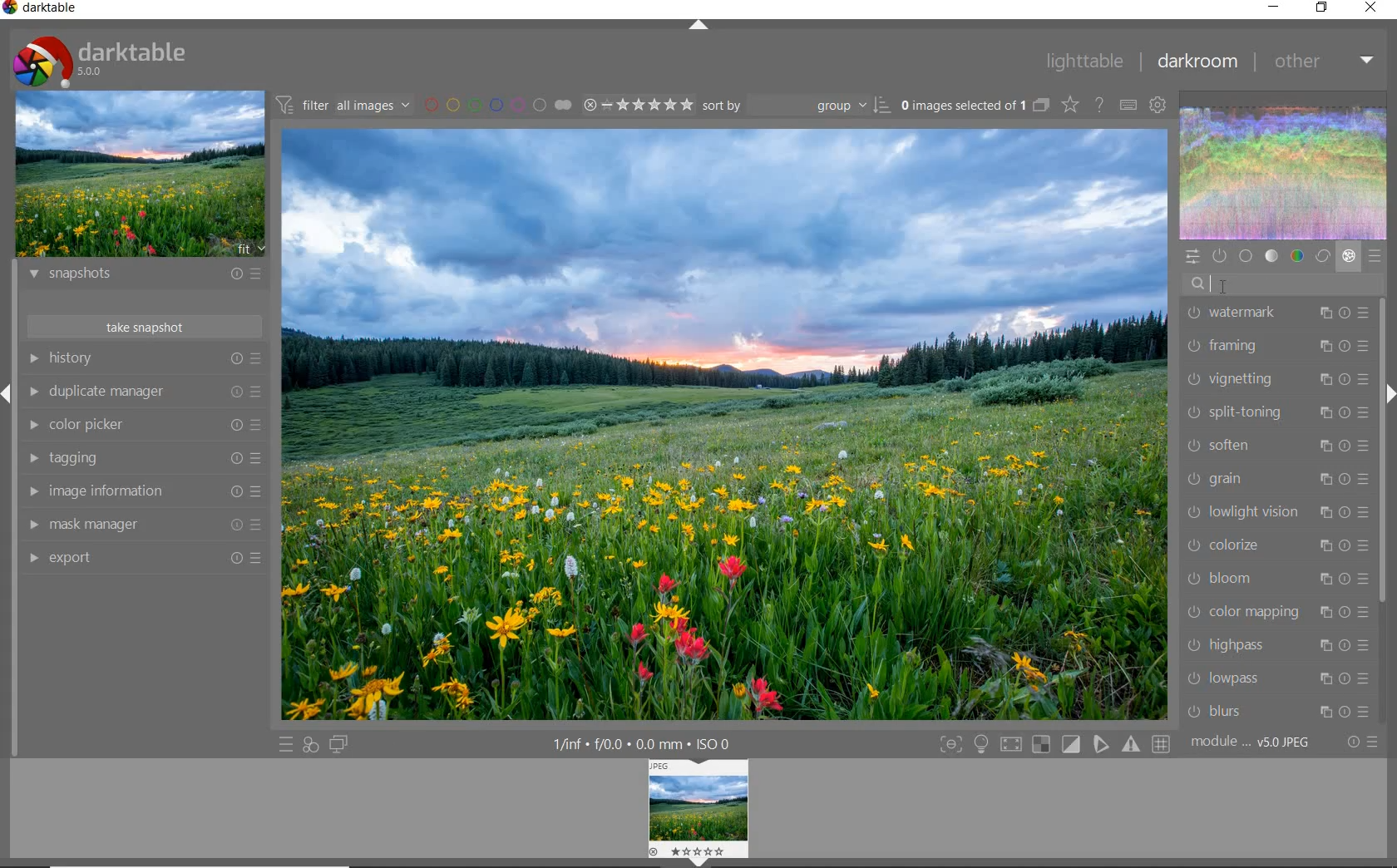 The height and width of the screenshot is (868, 1397). What do you see at coordinates (1275, 379) in the screenshot?
I see `vignetting` at bounding box center [1275, 379].